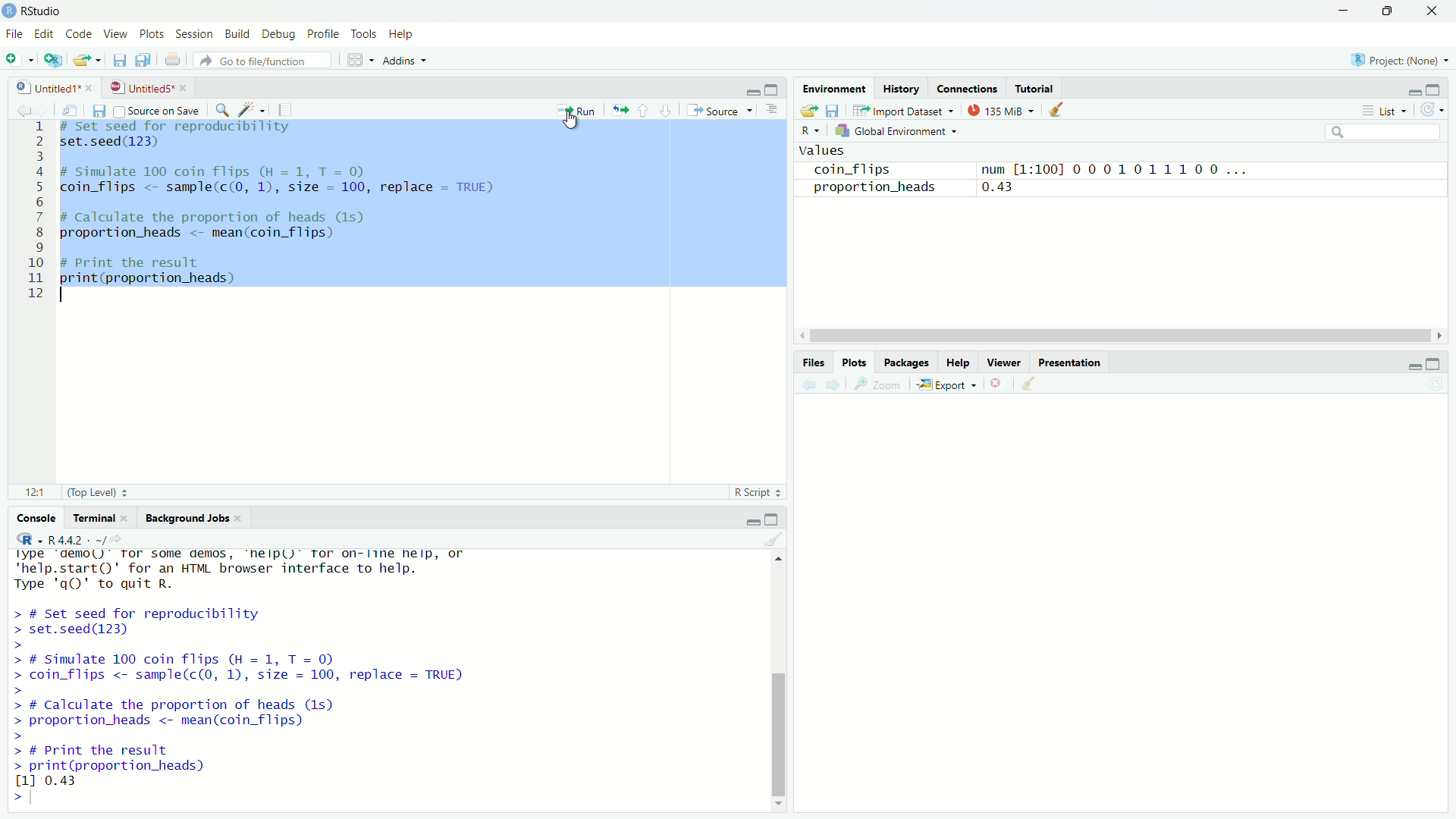 This screenshot has height=819, width=1456. What do you see at coordinates (43, 9) in the screenshot?
I see `RStudio` at bounding box center [43, 9].